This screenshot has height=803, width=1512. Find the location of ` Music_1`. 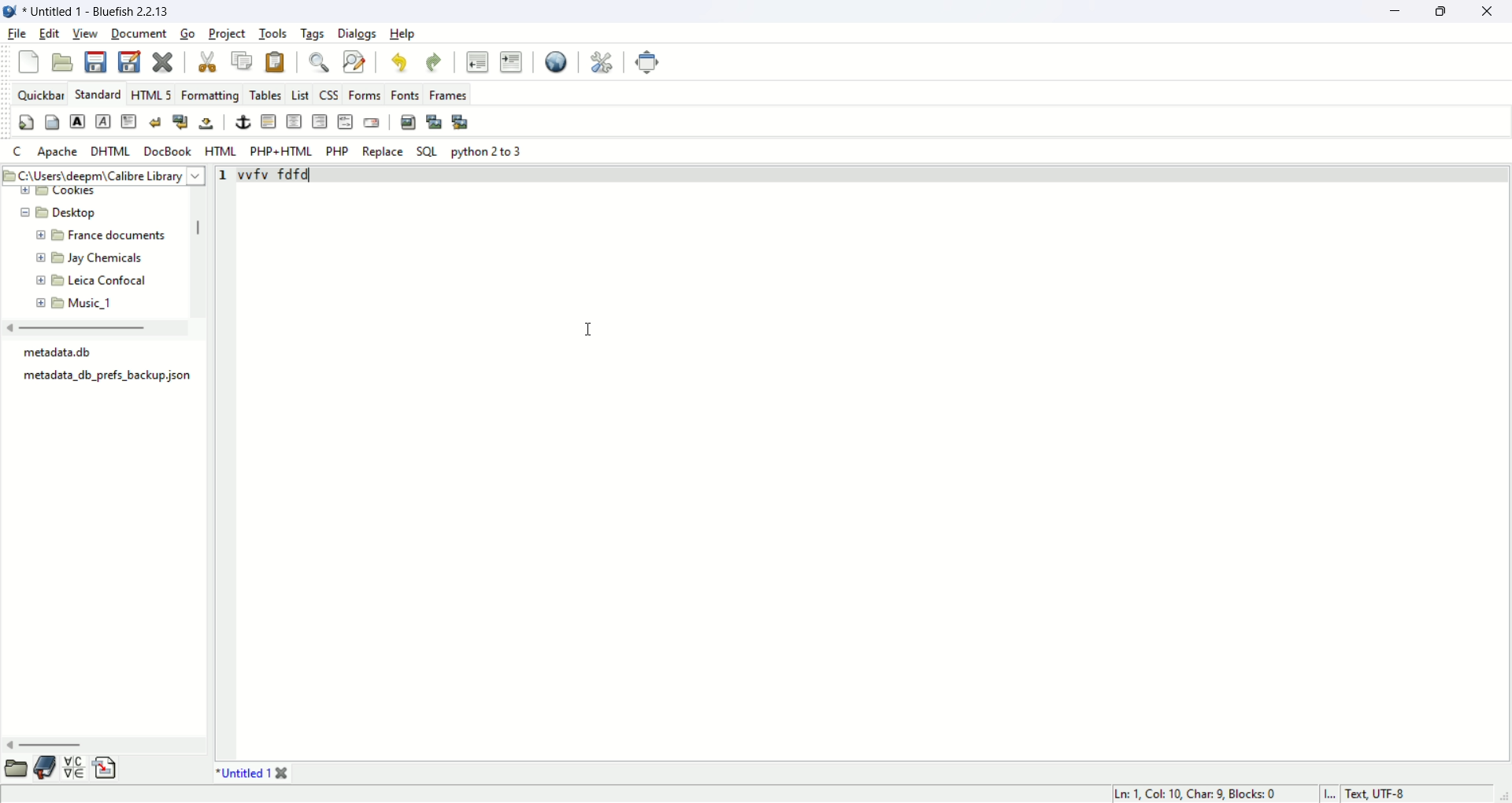

 Music_1 is located at coordinates (91, 303).